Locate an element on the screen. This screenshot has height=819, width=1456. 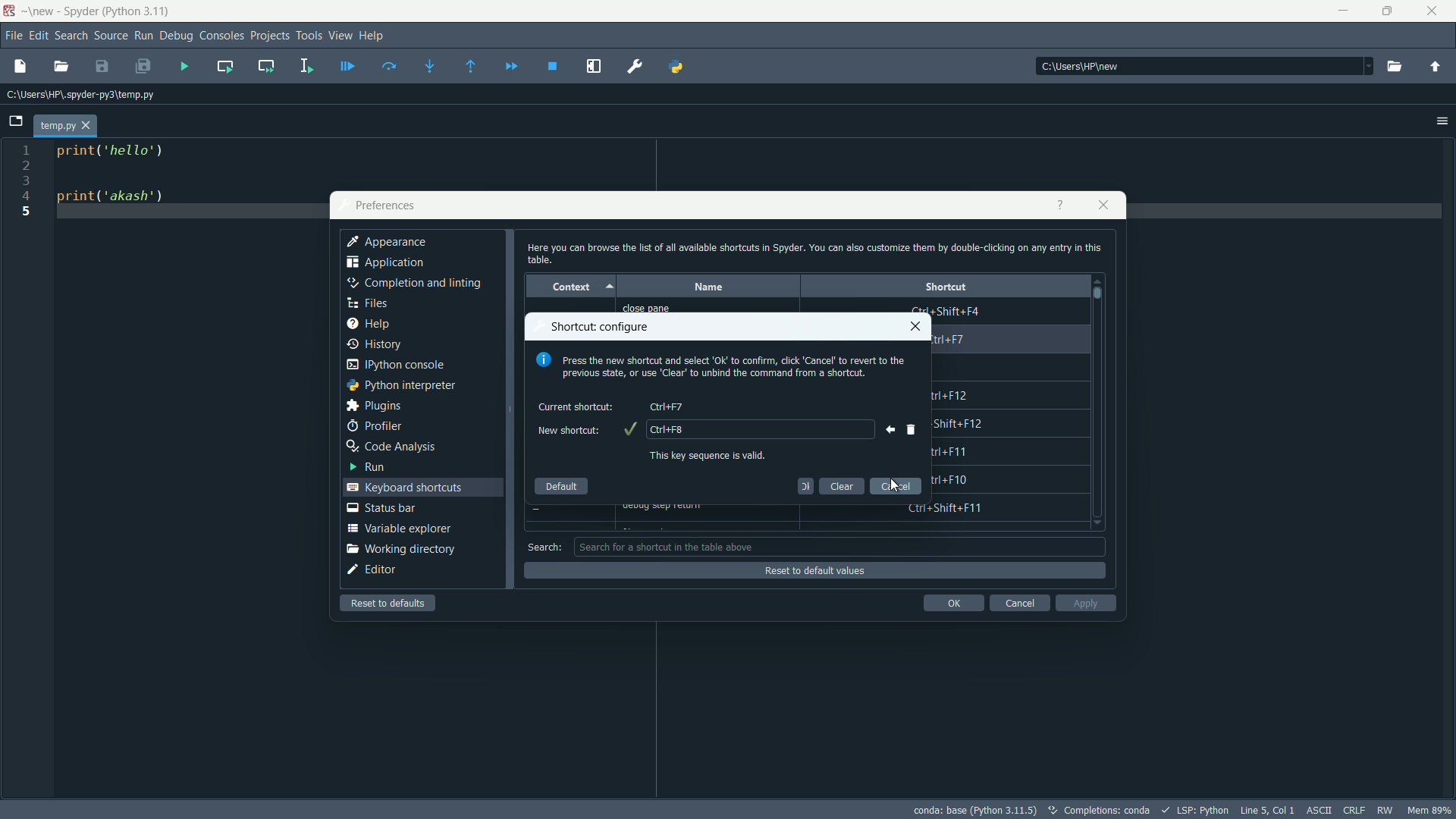
default is located at coordinates (562, 482).